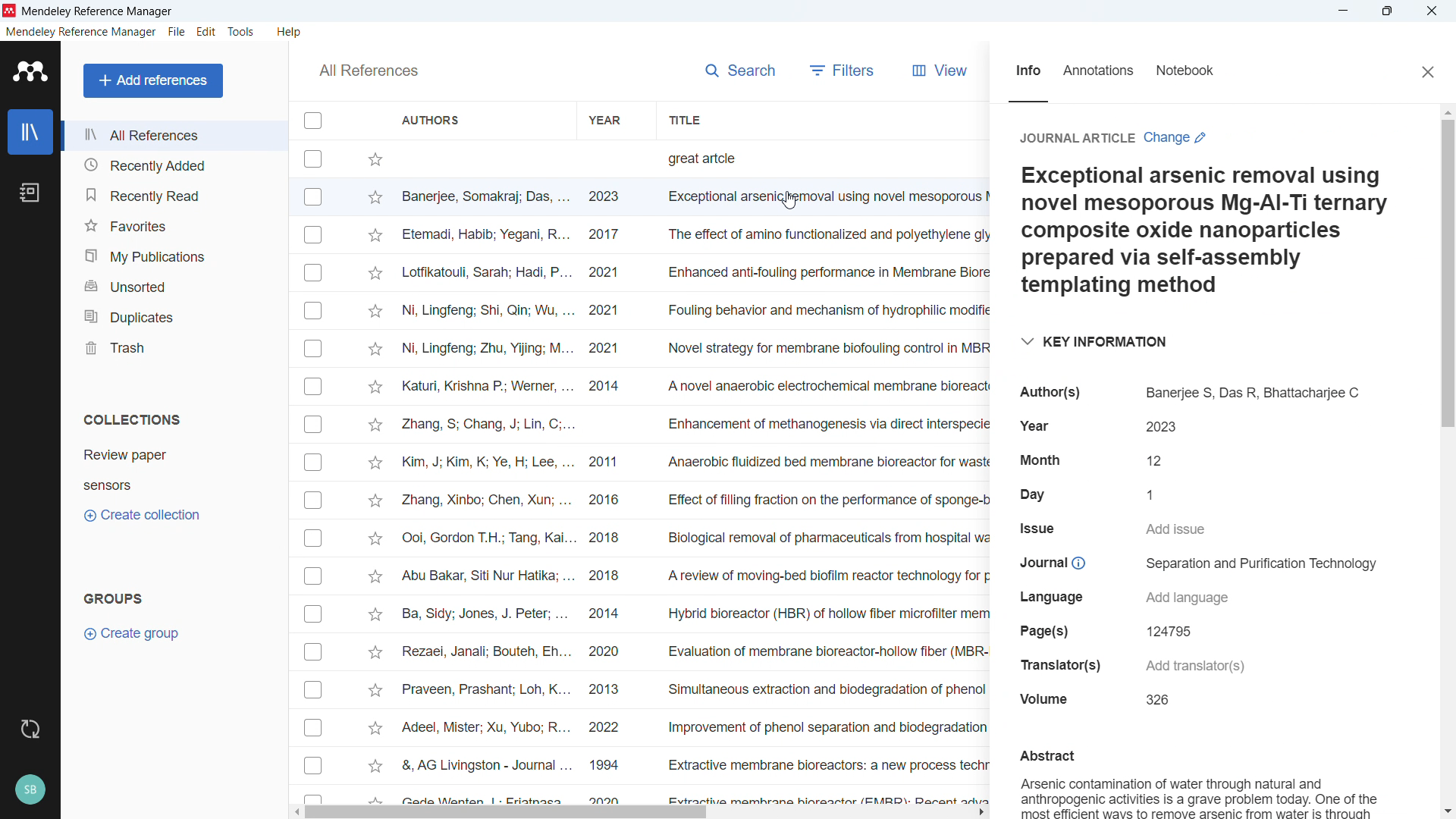  Describe the element at coordinates (1263, 564) in the screenshot. I see `Journal name ` at that location.